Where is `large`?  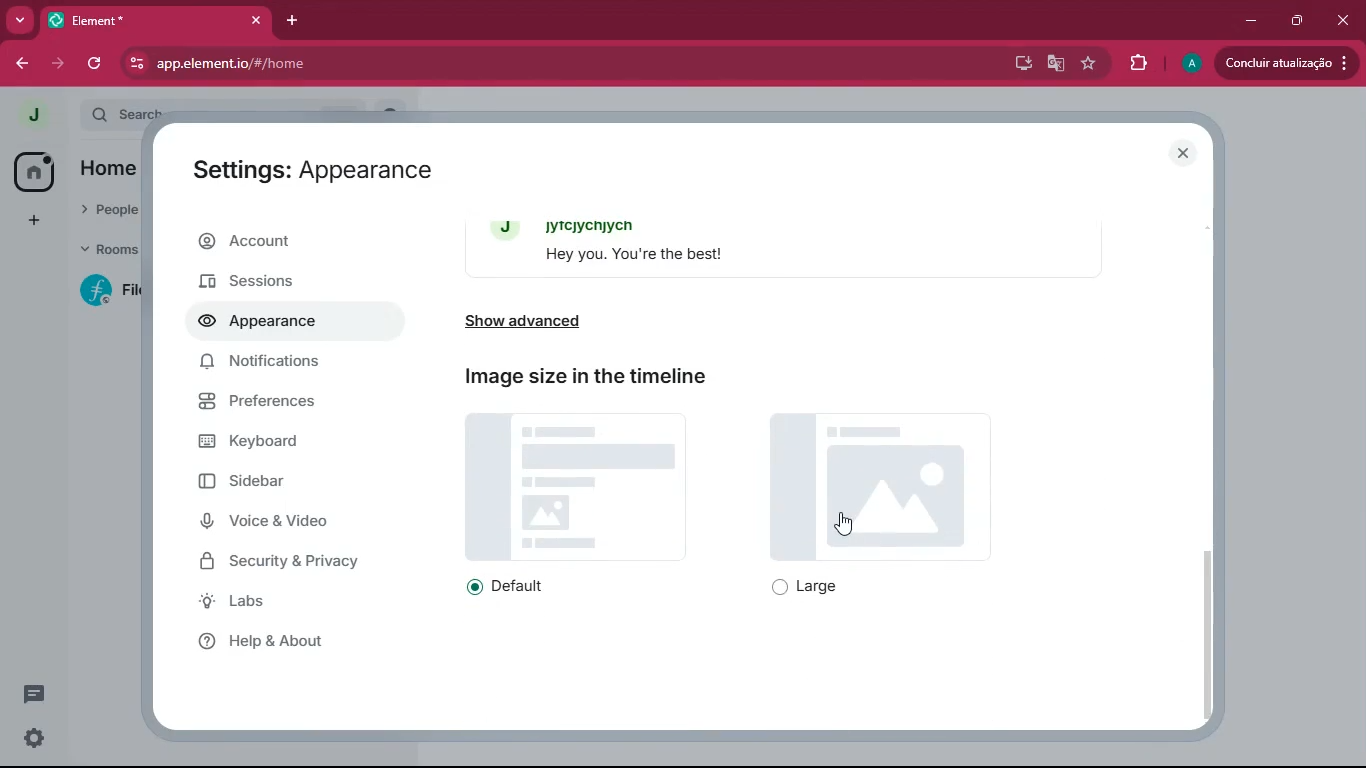 large is located at coordinates (814, 588).